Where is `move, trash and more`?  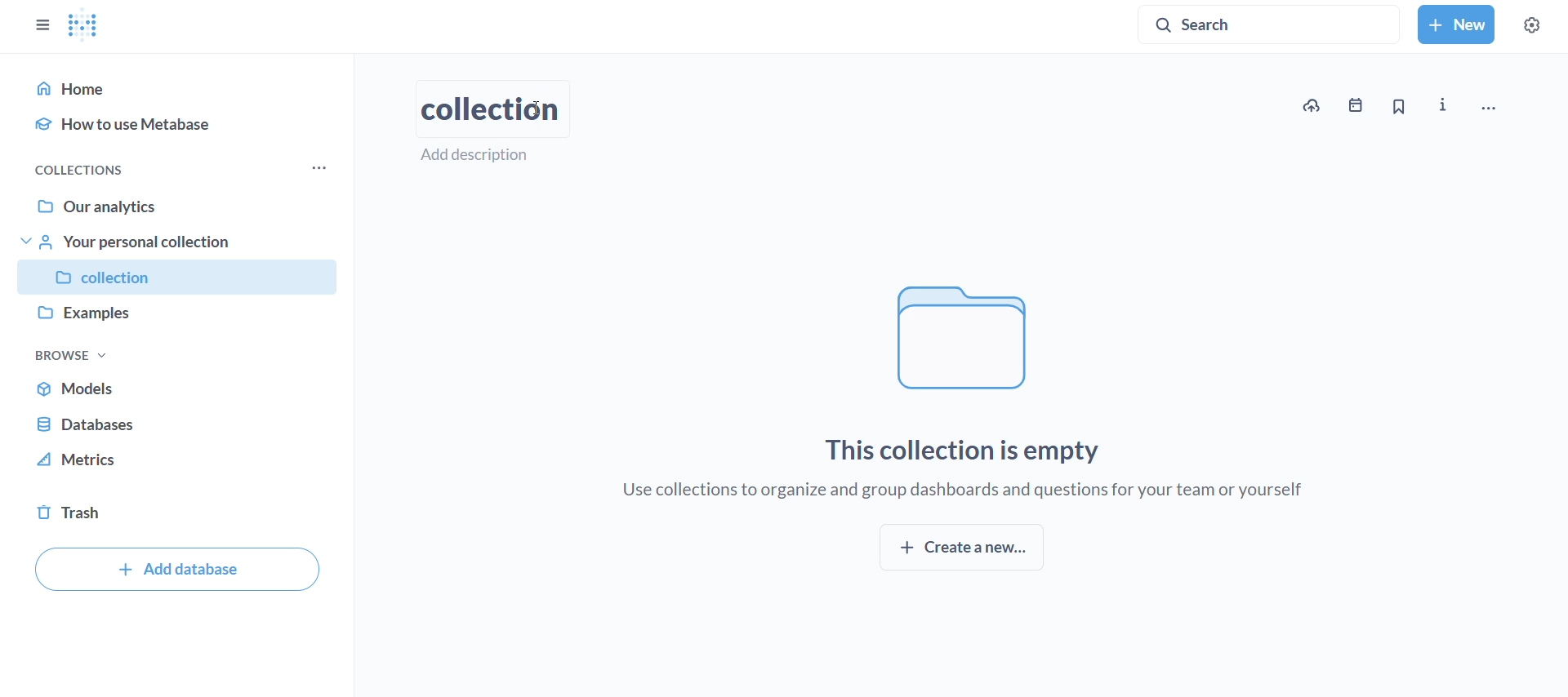 move, trash and more is located at coordinates (1503, 102).